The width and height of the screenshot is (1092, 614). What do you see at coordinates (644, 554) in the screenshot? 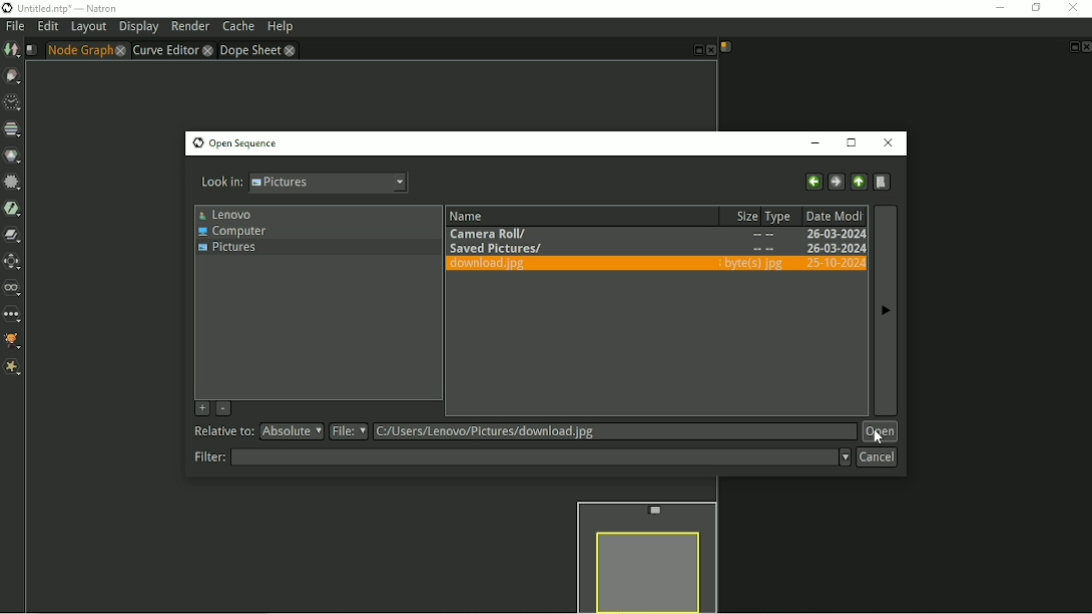
I see `Preview` at bounding box center [644, 554].